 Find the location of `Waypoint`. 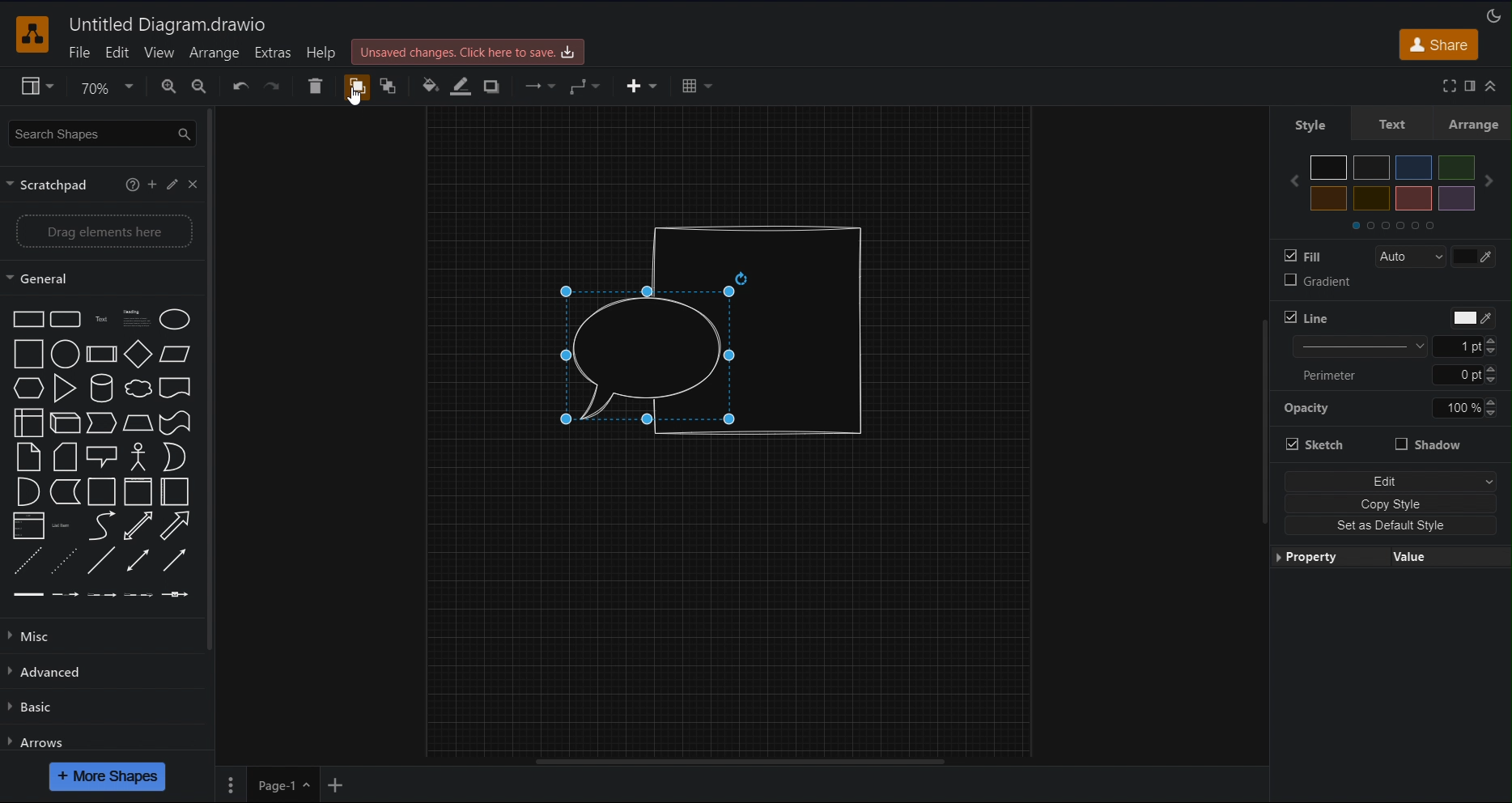

Waypoint is located at coordinates (586, 86).